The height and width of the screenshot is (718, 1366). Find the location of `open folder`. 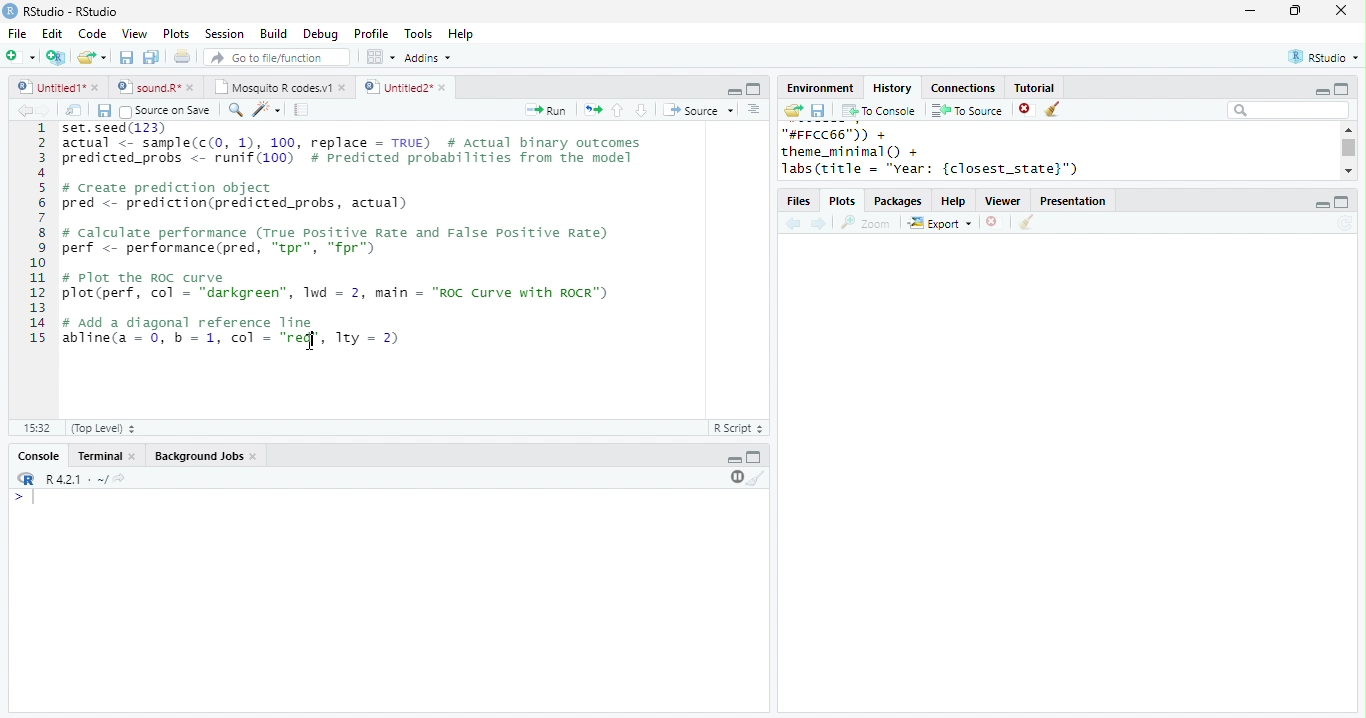

open folder is located at coordinates (792, 110).